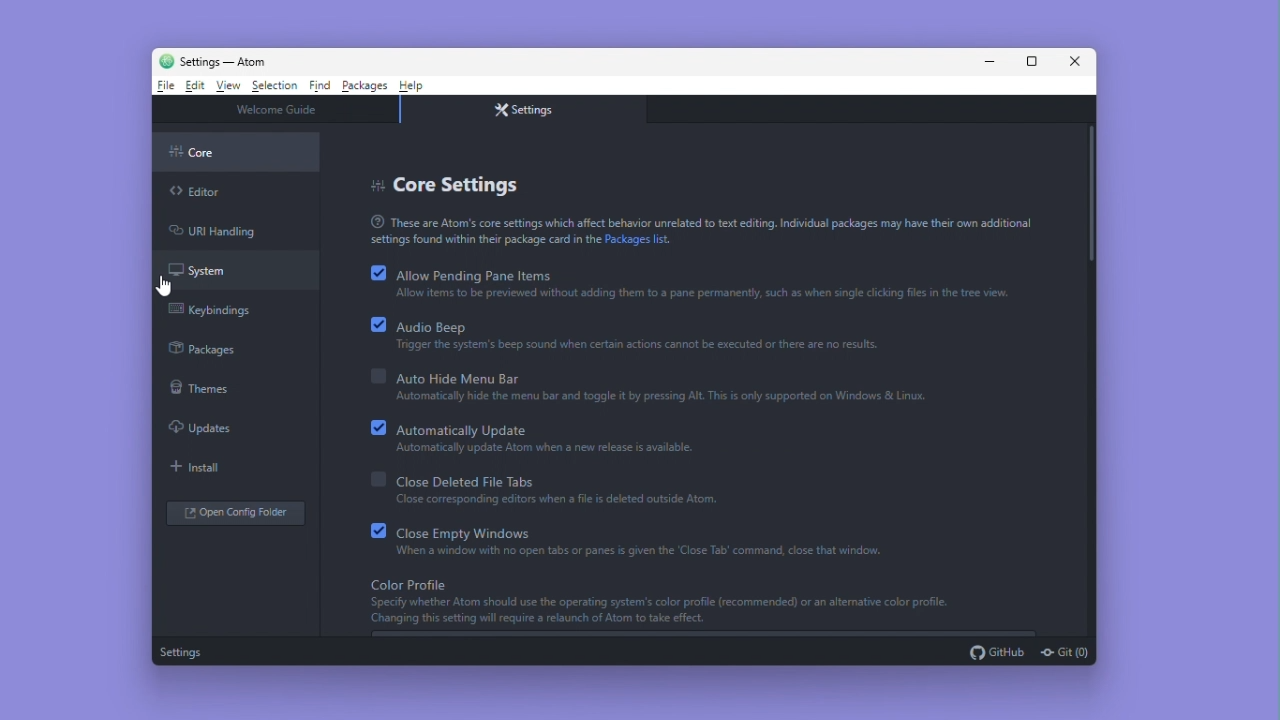 The height and width of the screenshot is (720, 1280). Describe the element at coordinates (221, 309) in the screenshot. I see `Key bindings` at that location.